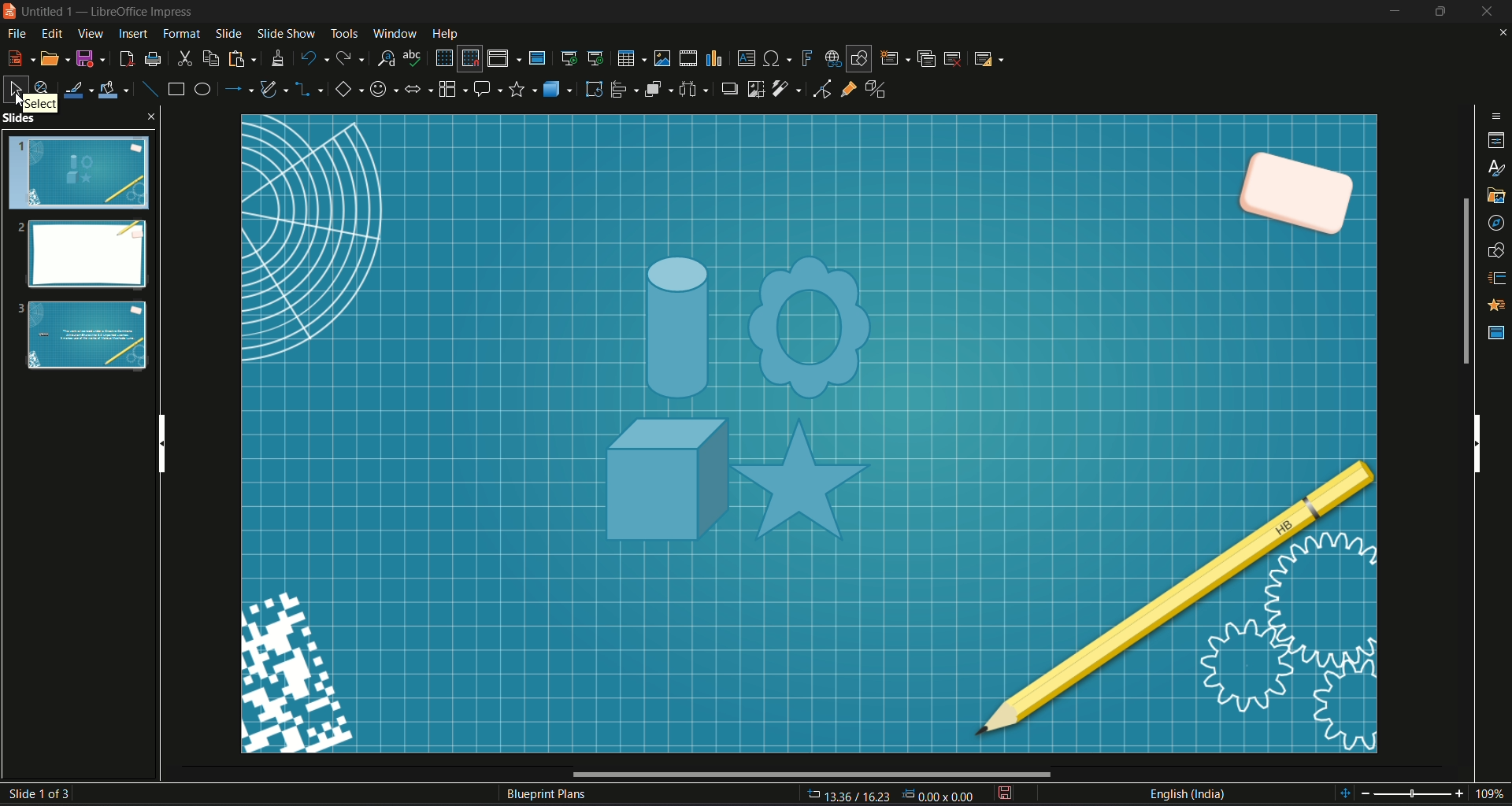 The image size is (1512, 806). Describe the element at coordinates (20, 102) in the screenshot. I see `cursor` at that location.